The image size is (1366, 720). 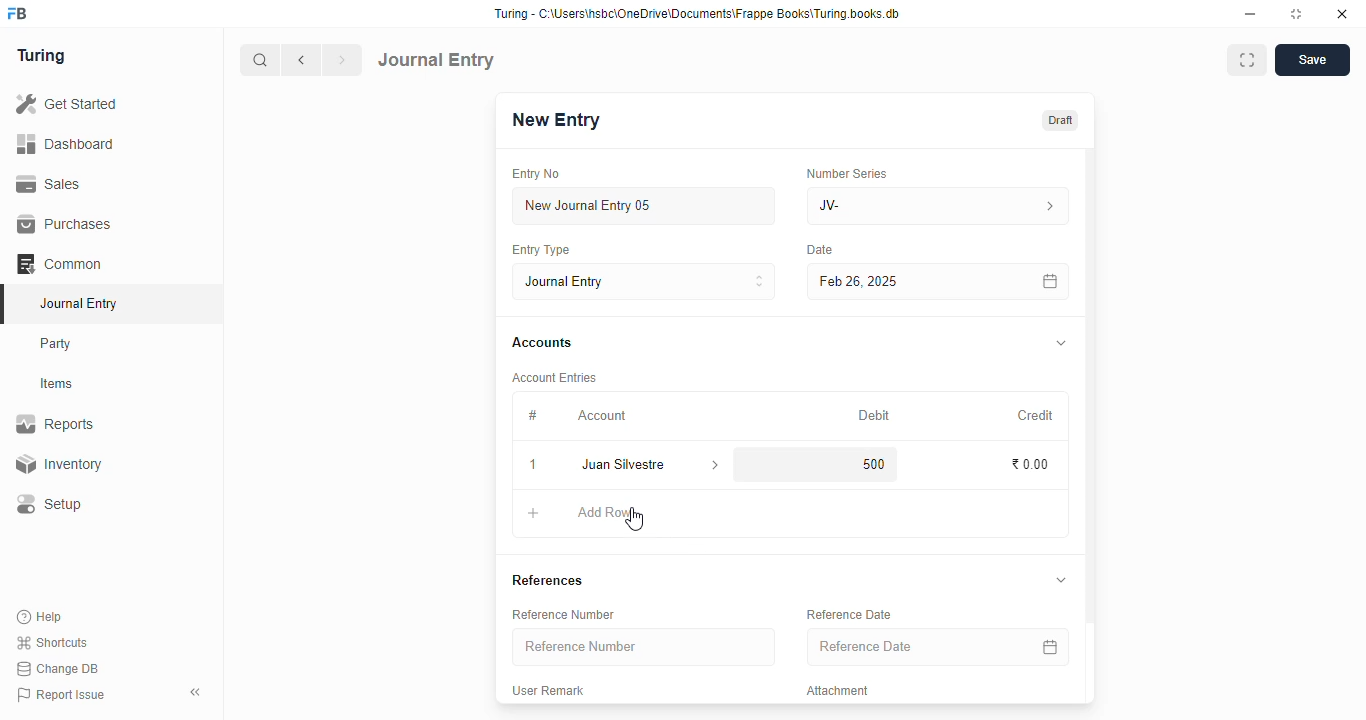 I want to click on 500, so click(x=866, y=464).